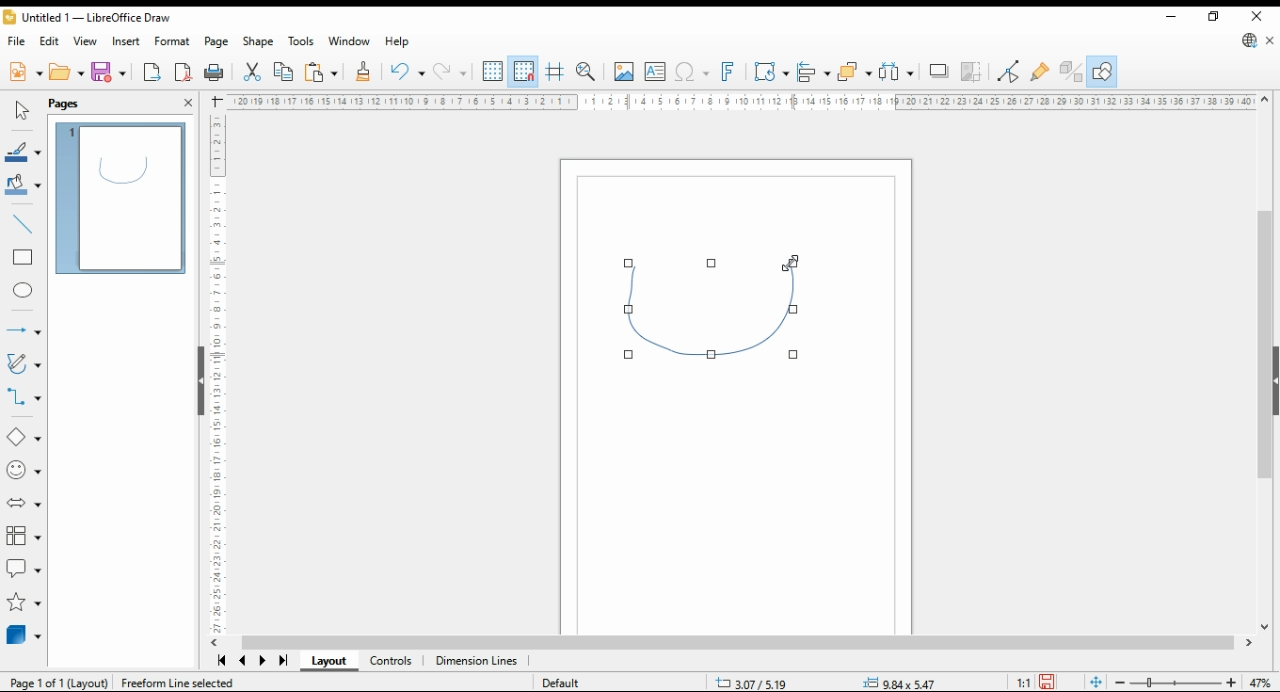 Image resolution: width=1280 pixels, height=692 pixels. Describe the element at coordinates (214, 373) in the screenshot. I see `ruler` at that location.